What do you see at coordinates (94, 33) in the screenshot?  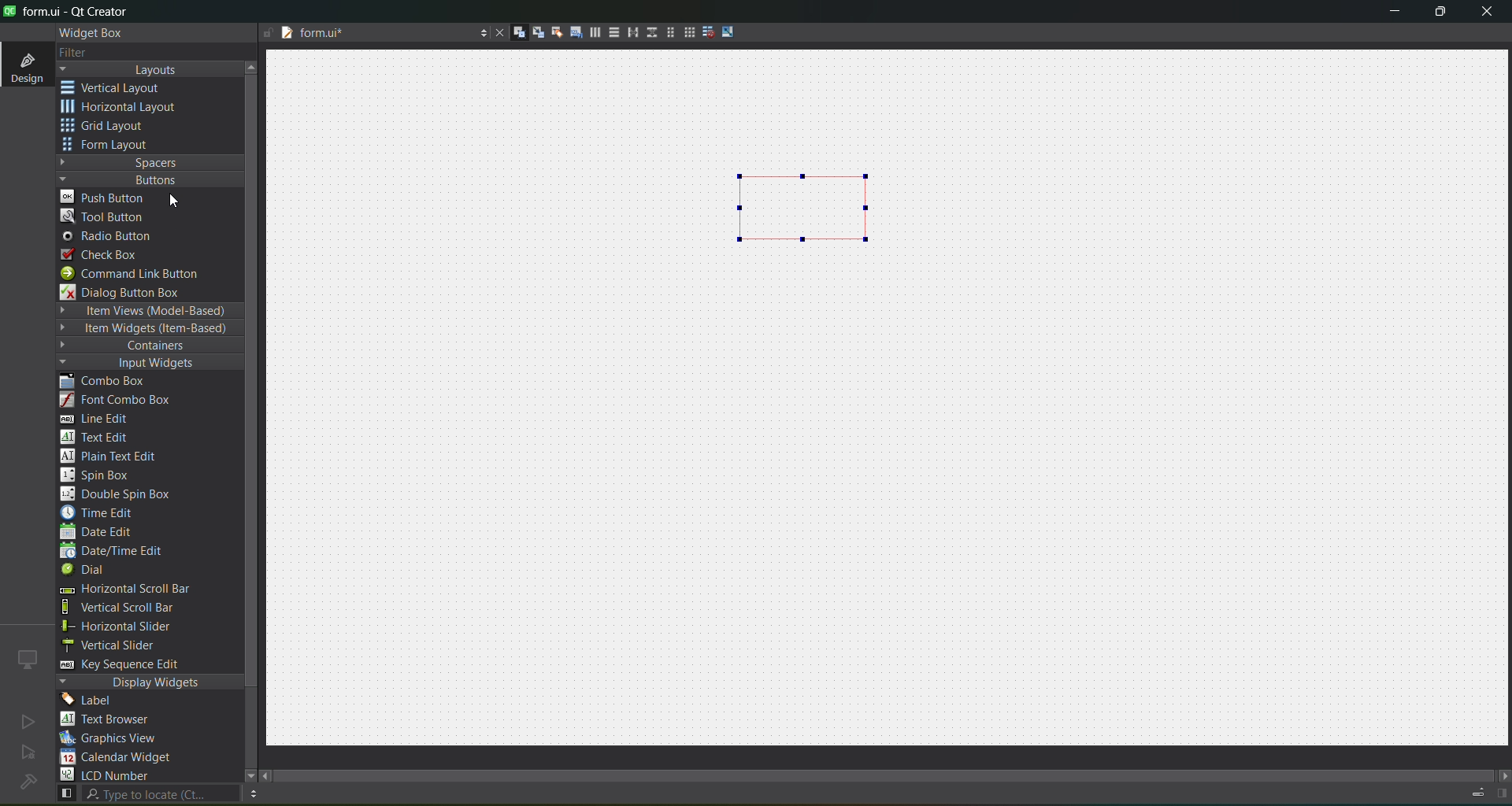 I see `widget box` at bounding box center [94, 33].